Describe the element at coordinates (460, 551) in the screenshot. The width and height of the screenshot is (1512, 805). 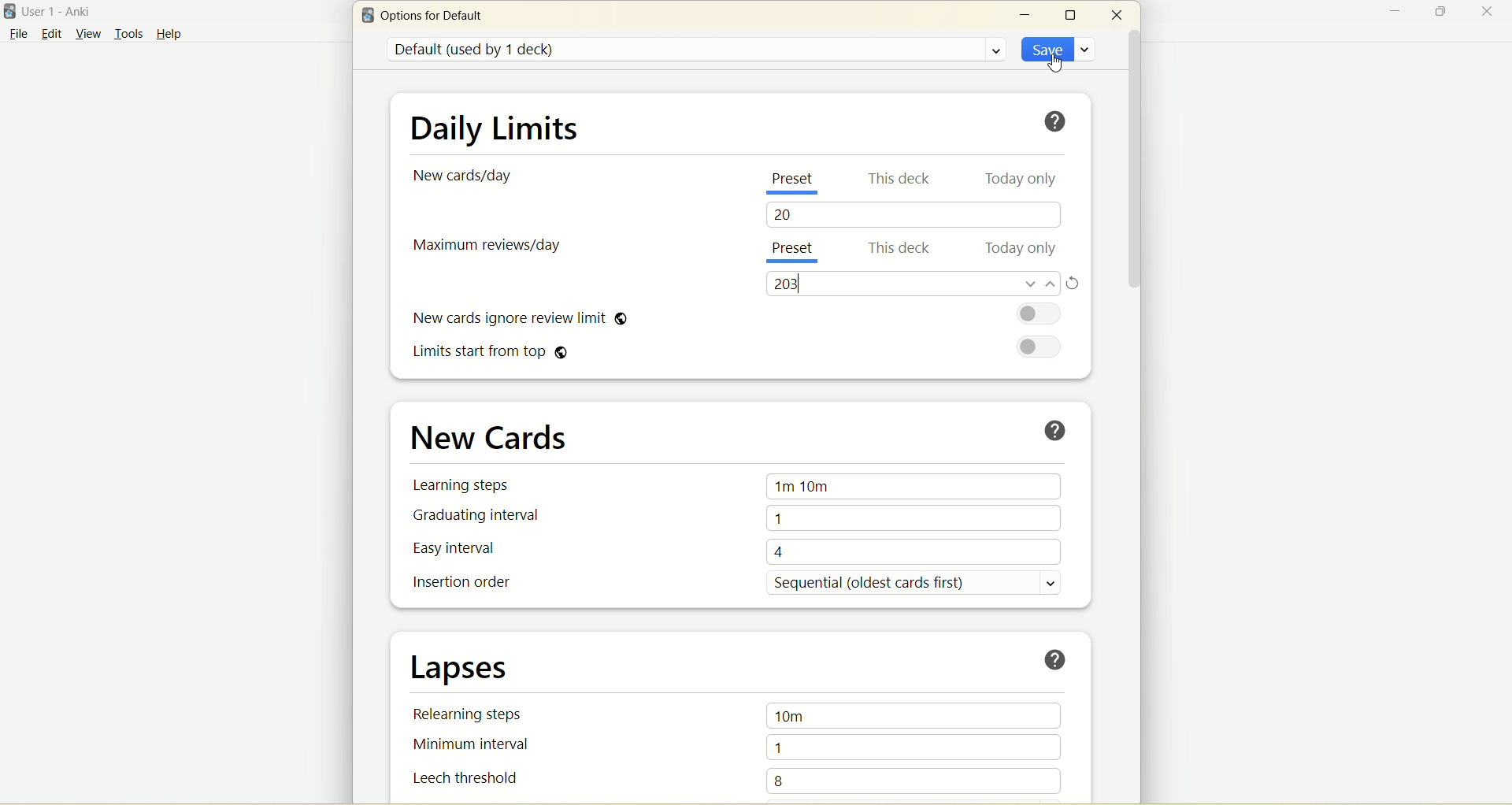
I see `easy interval` at that location.